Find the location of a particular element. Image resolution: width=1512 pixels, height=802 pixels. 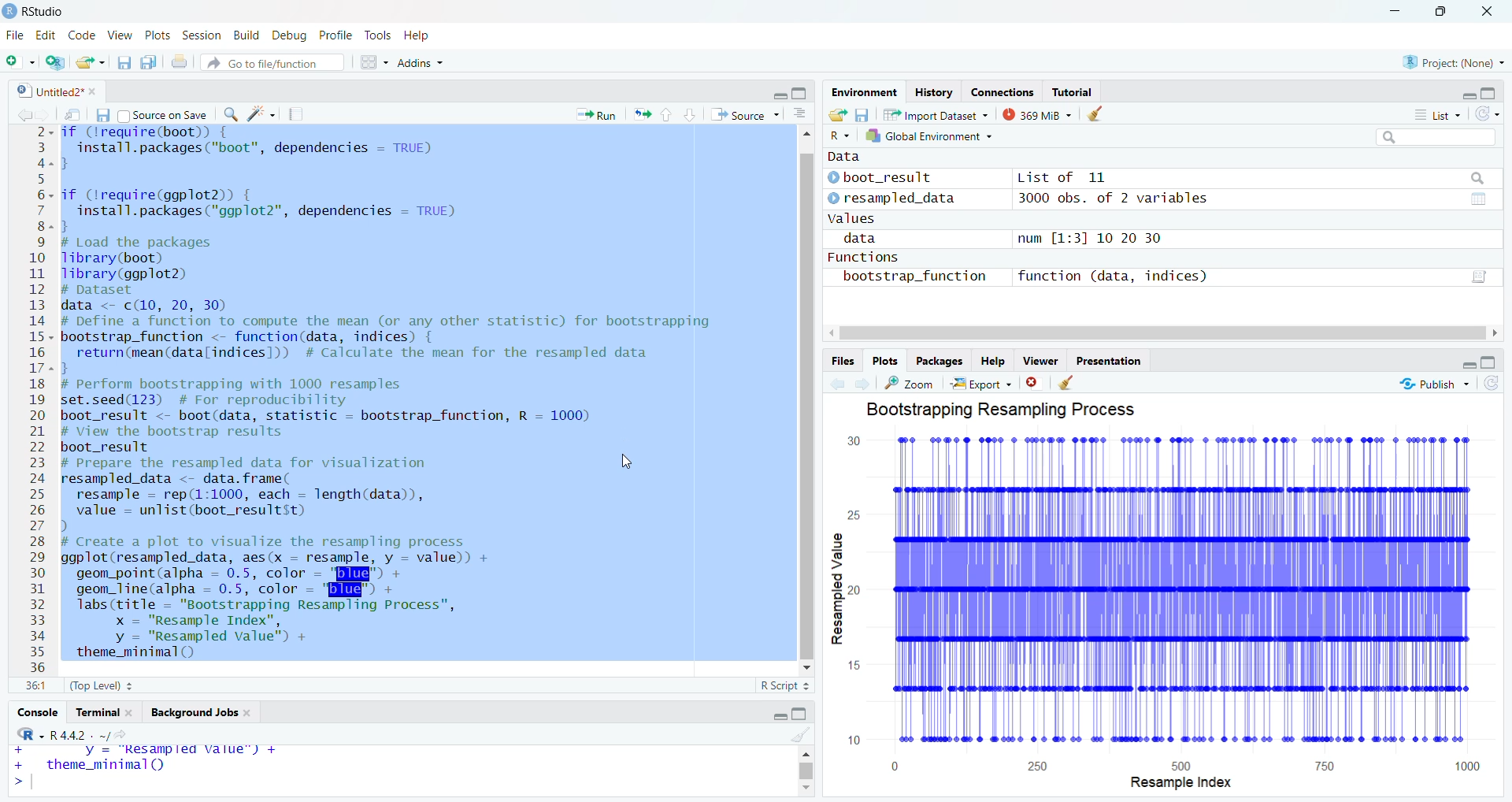

 Go to file/function is located at coordinates (275, 61).